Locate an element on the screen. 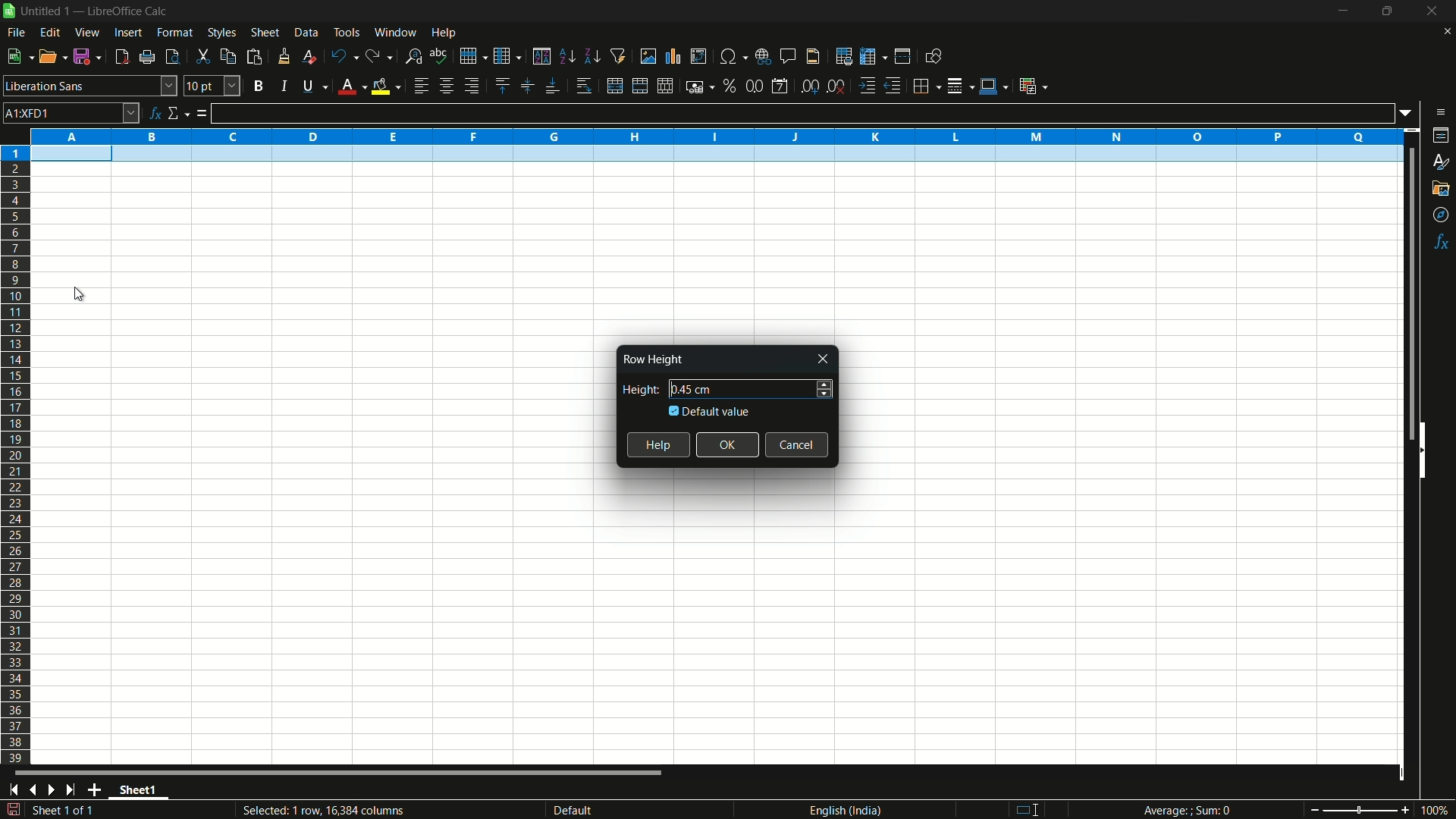 This screenshot has height=819, width=1456. rows is located at coordinates (16, 454).